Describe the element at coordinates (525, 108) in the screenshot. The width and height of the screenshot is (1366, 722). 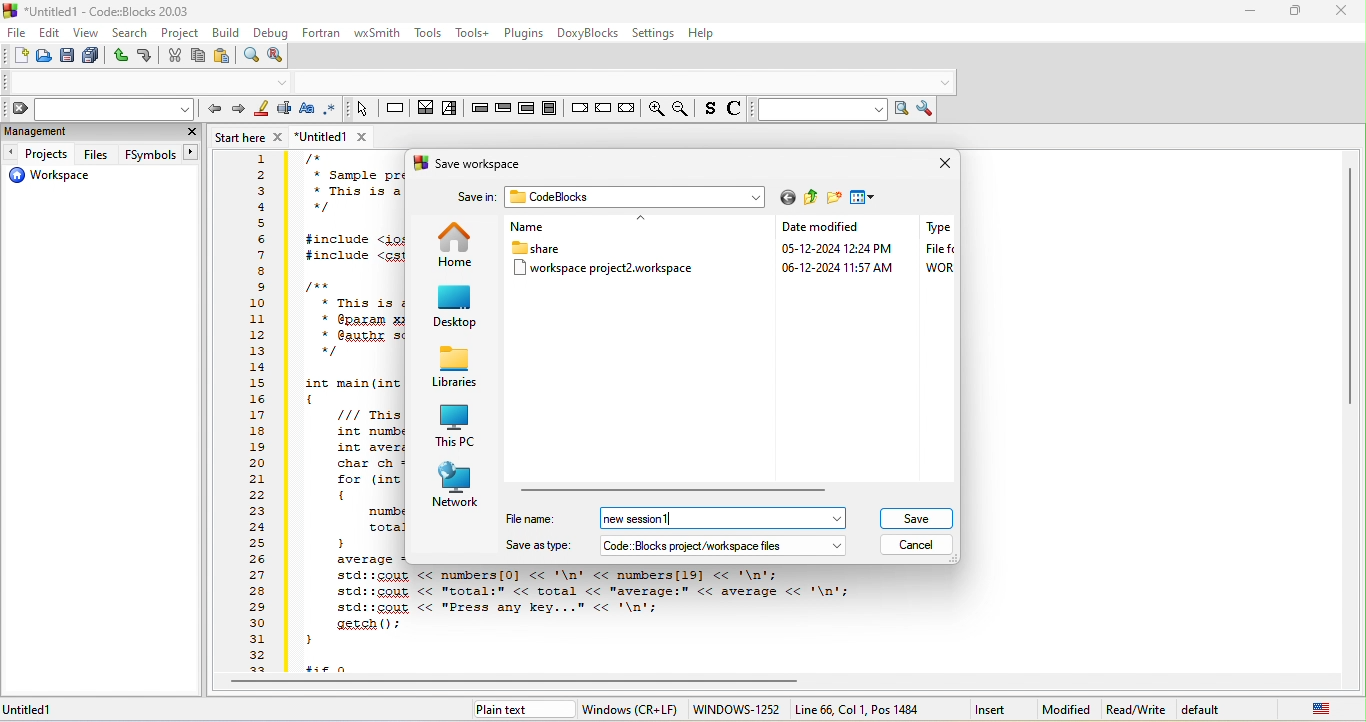
I see `counting loop` at that location.